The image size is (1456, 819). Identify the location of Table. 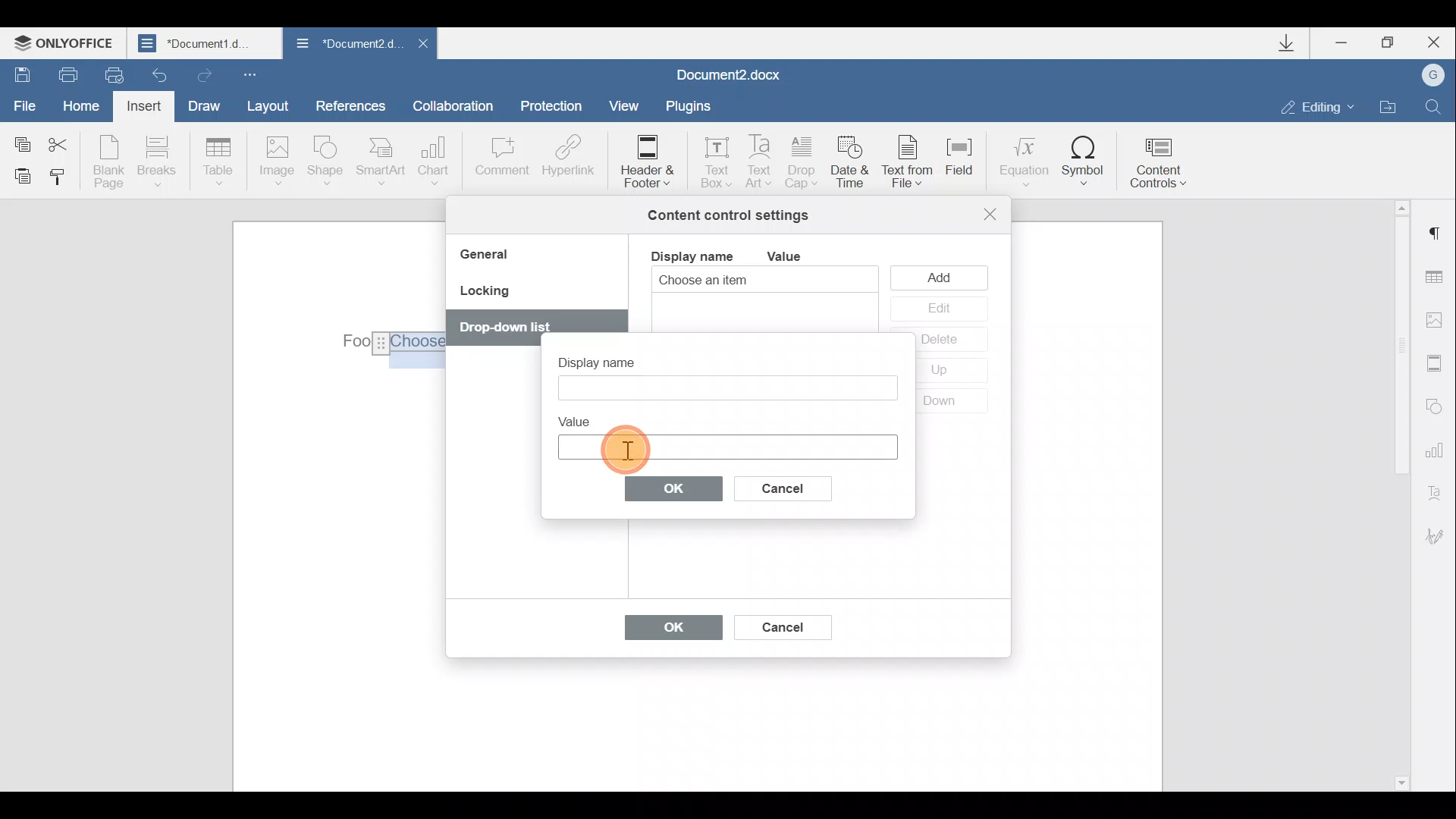
(219, 163).